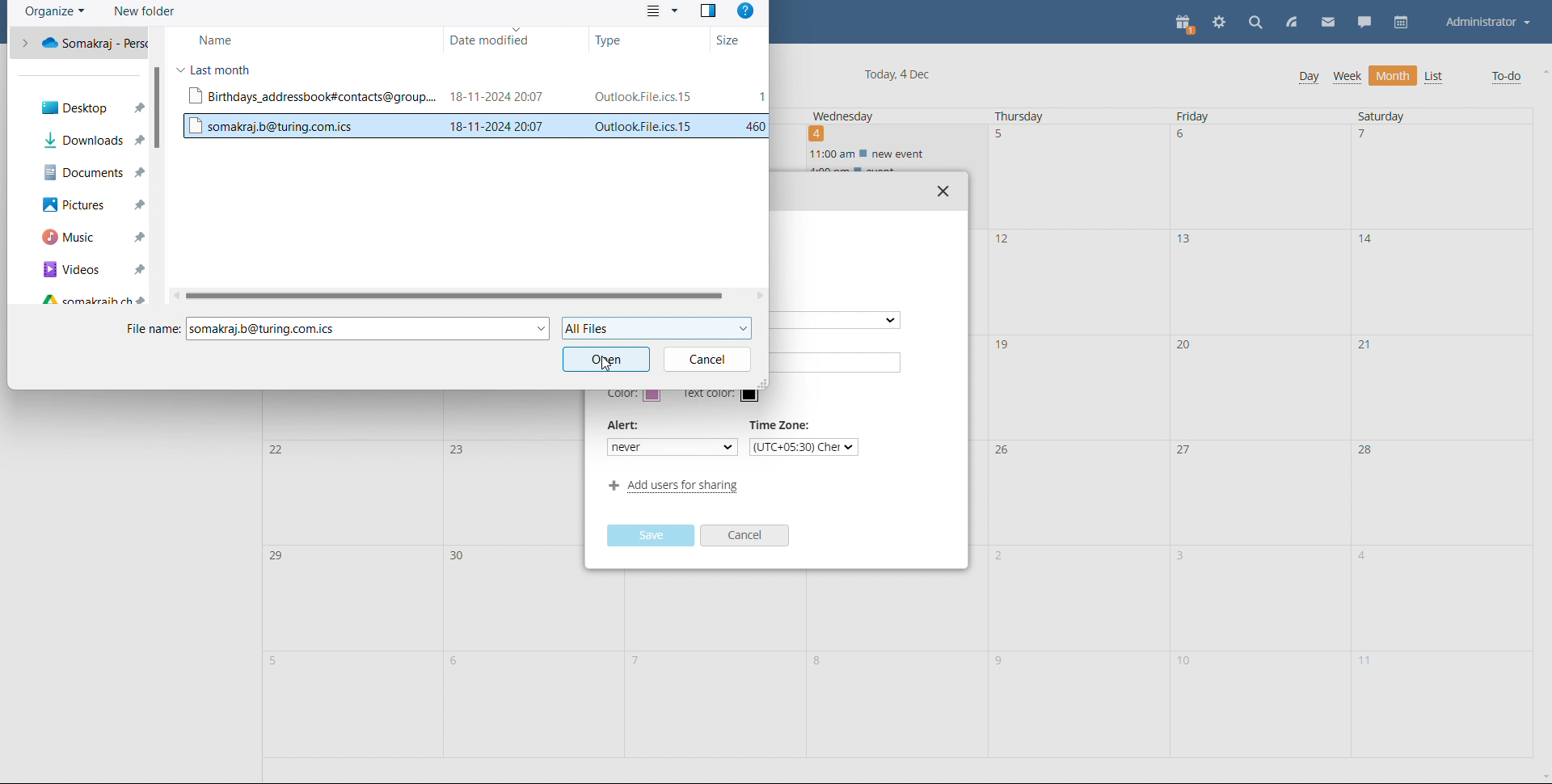  Describe the element at coordinates (504, 41) in the screenshot. I see `daye modified` at that location.